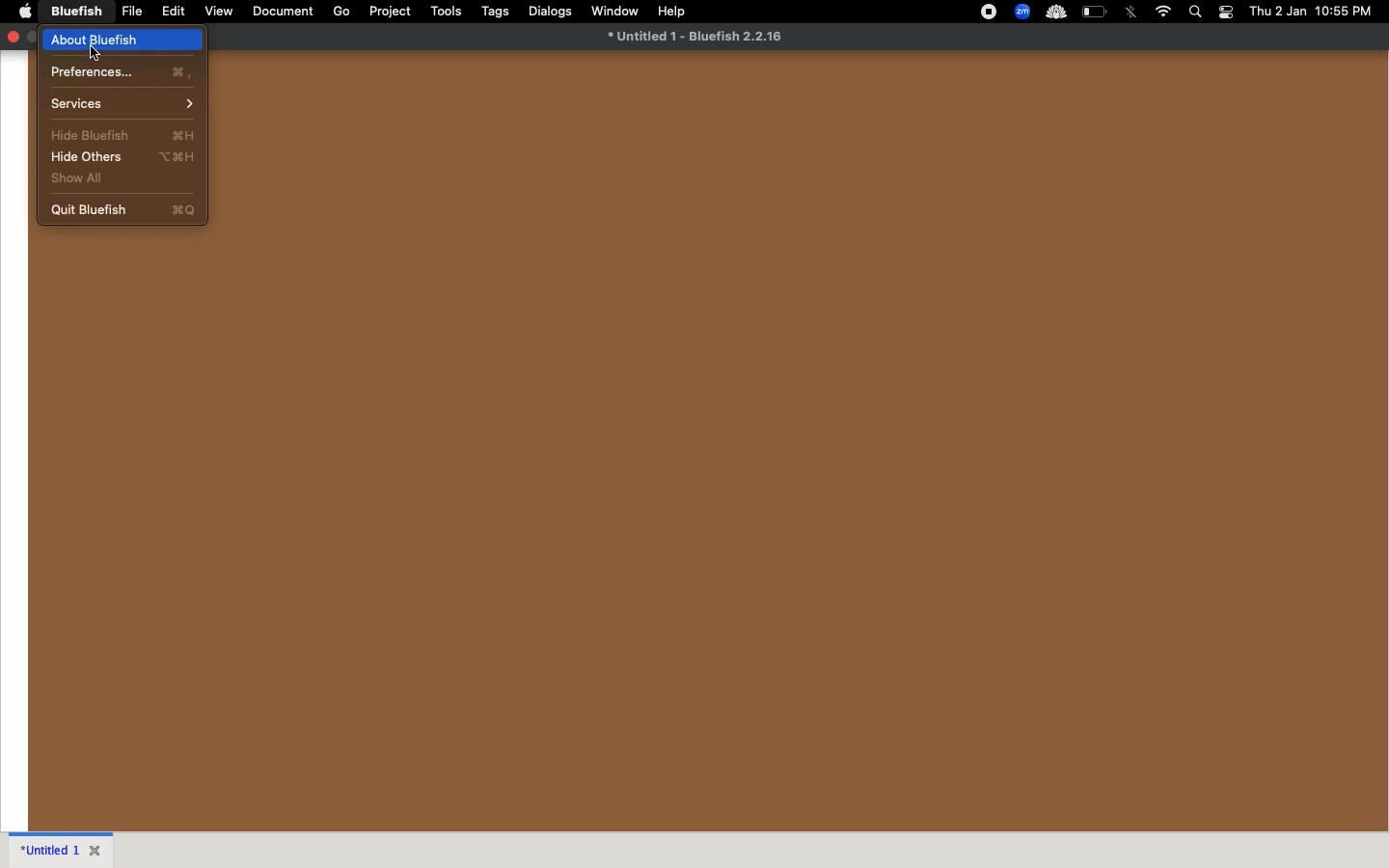 This screenshot has width=1389, height=868. What do you see at coordinates (95, 53) in the screenshot?
I see `cursor` at bounding box center [95, 53].